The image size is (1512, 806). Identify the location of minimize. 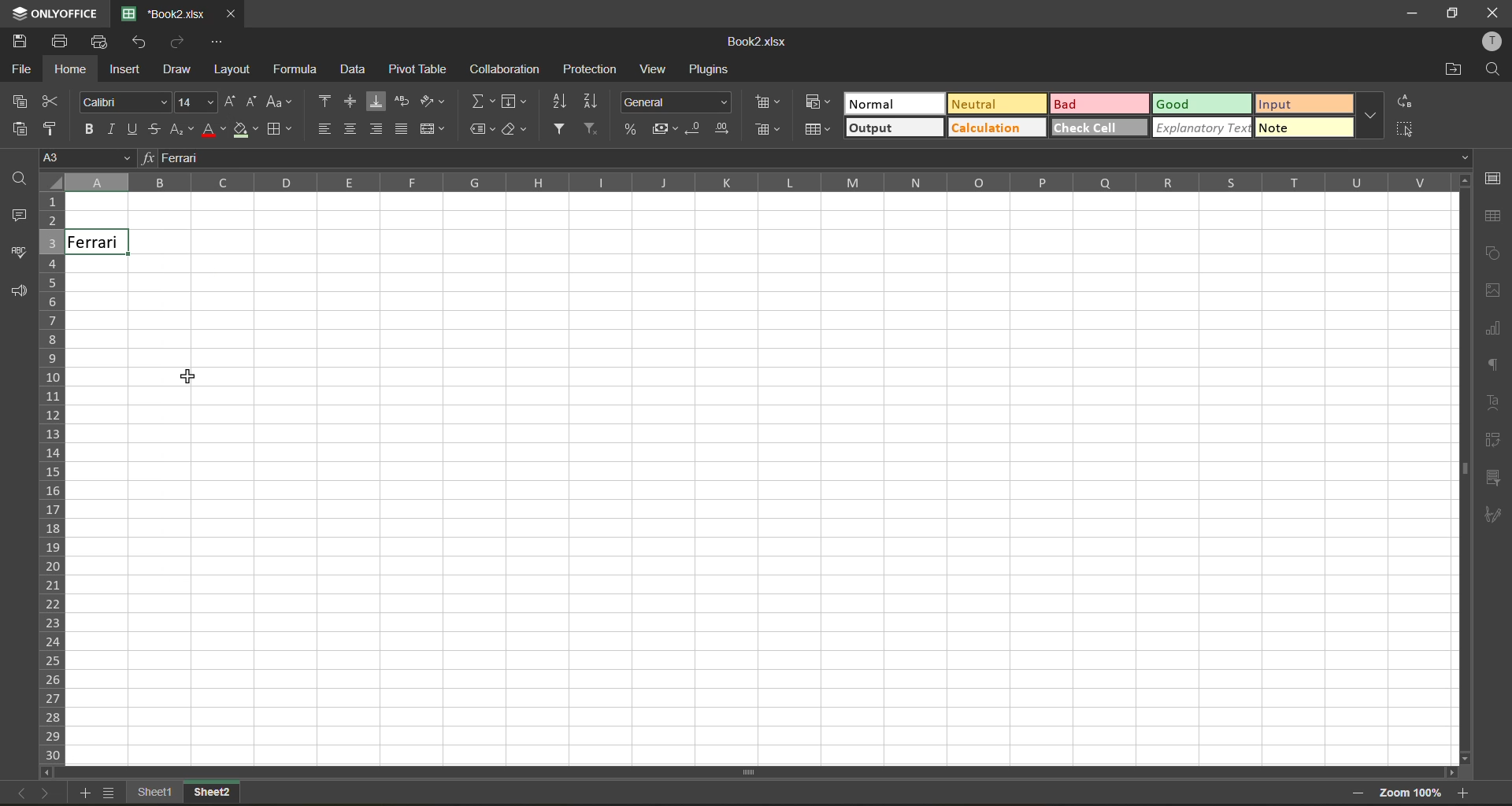
(1414, 12).